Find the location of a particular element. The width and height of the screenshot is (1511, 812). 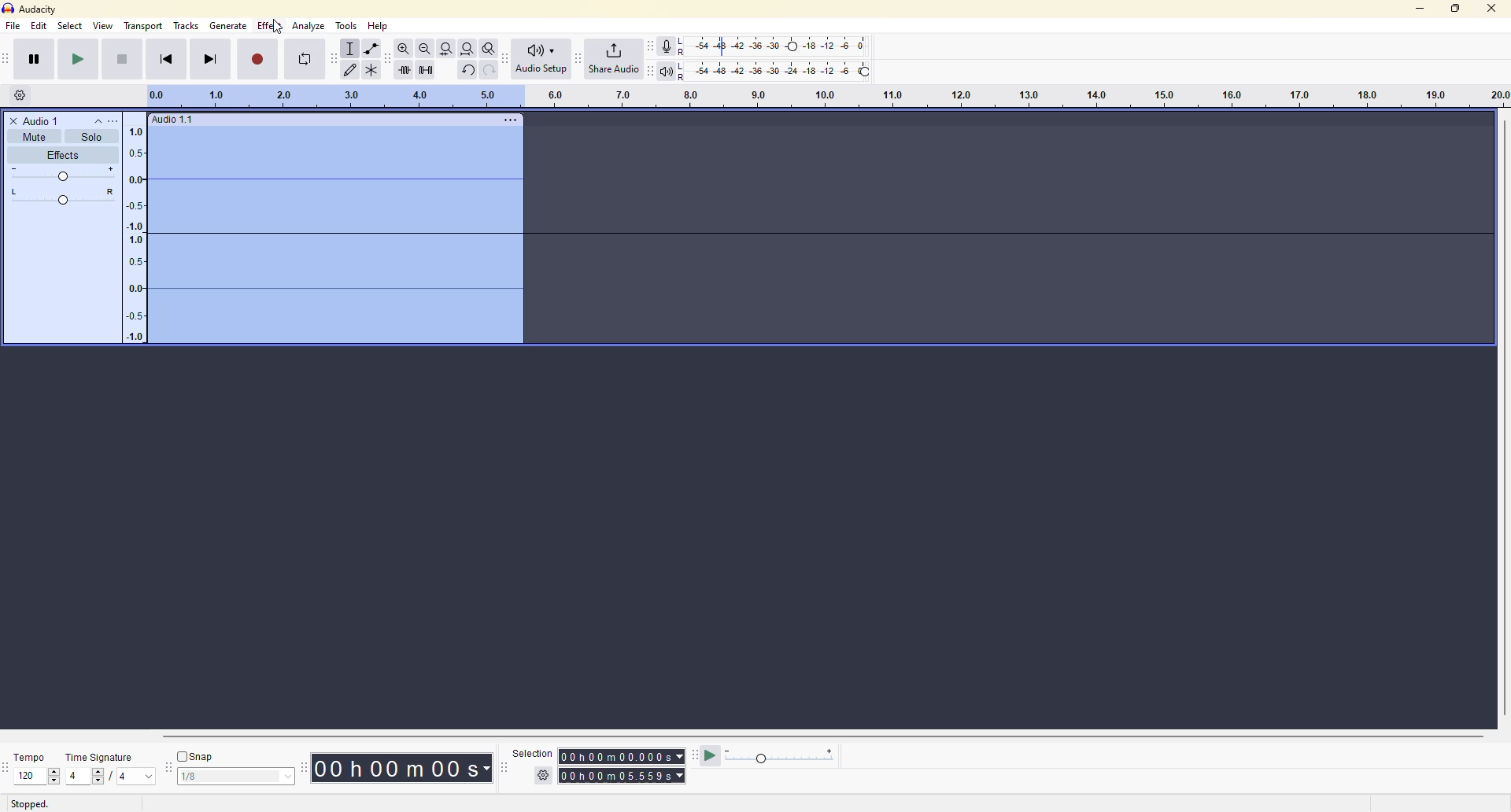

select is located at coordinates (69, 26).